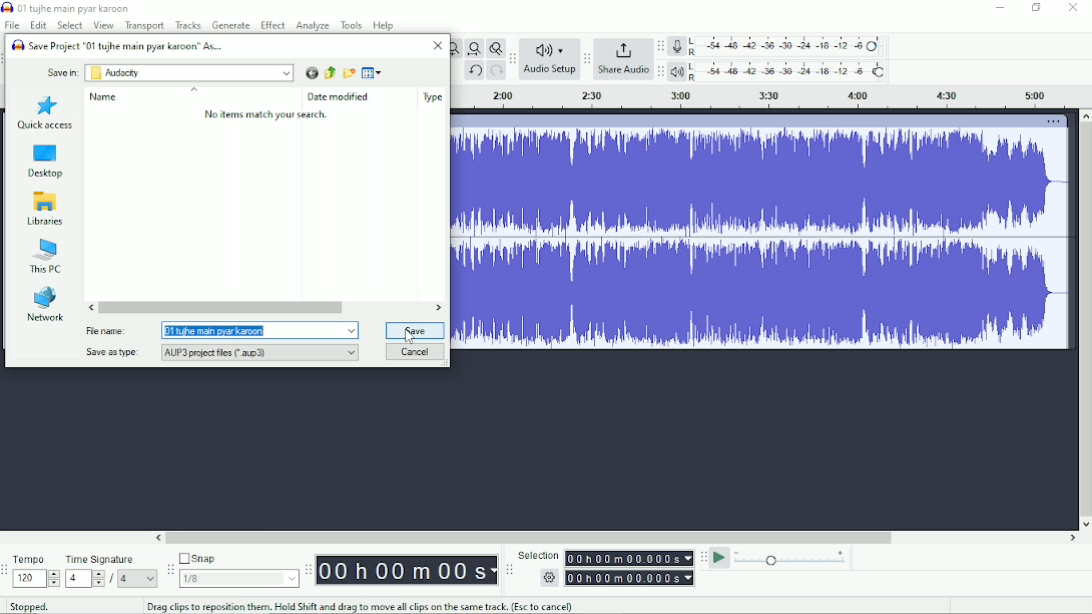  What do you see at coordinates (438, 46) in the screenshot?
I see `Close` at bounding box center [438, 46].